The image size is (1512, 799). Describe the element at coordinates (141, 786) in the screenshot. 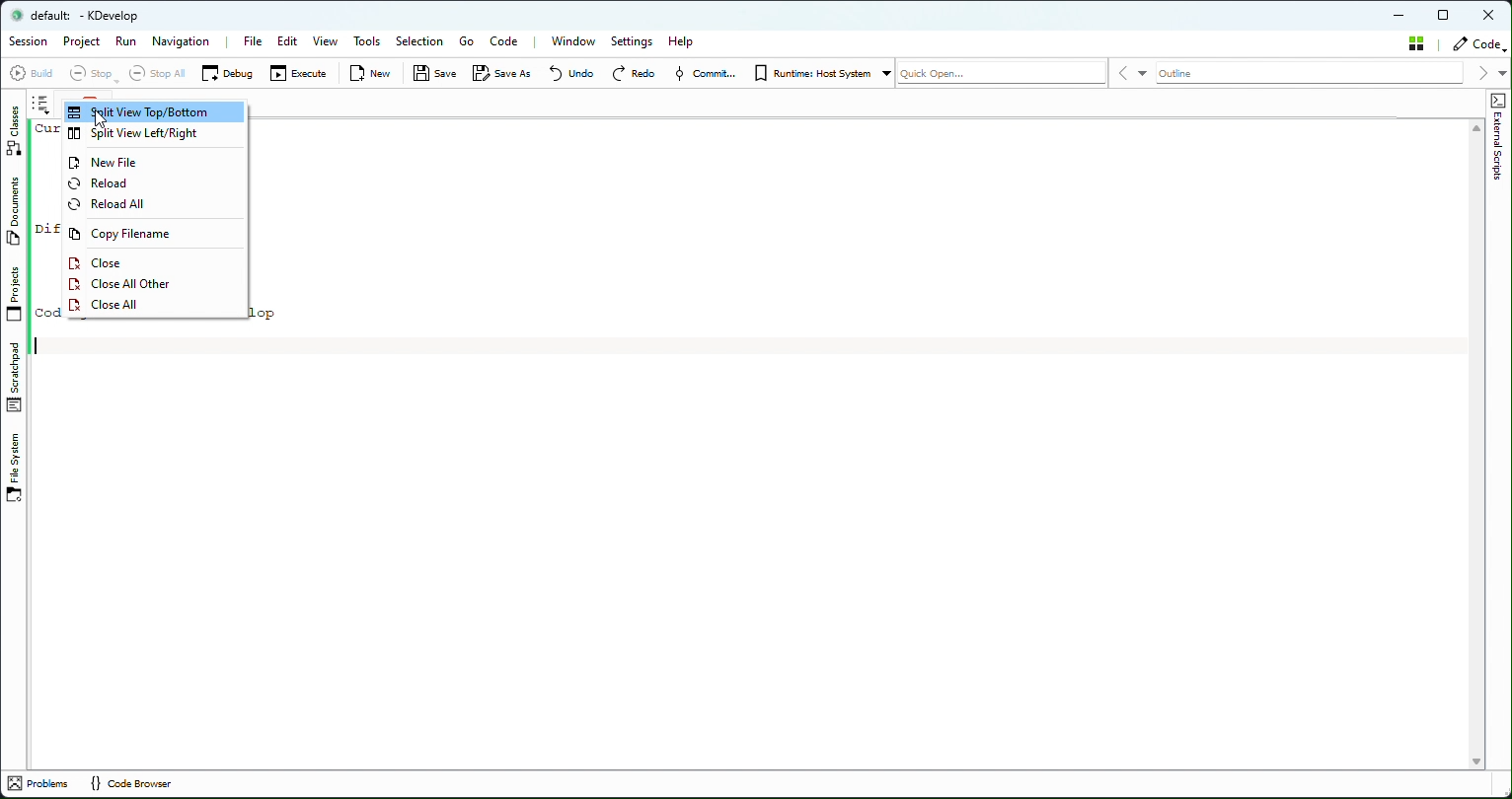

I see `Code Browser` at that location.